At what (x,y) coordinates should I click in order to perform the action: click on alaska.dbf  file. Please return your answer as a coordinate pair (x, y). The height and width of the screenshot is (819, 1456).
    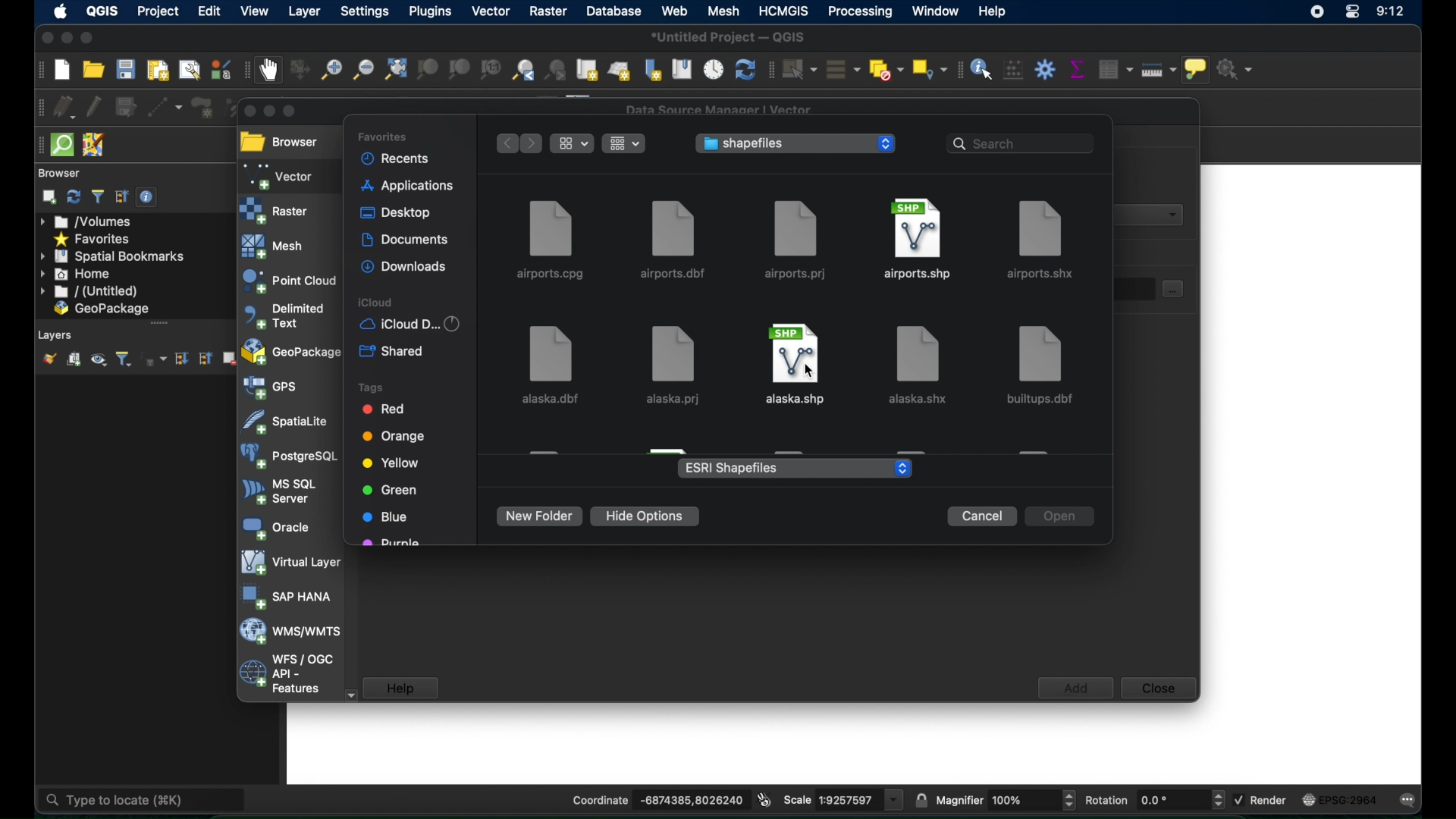
    Looking at the image, I should click on (551, 363).